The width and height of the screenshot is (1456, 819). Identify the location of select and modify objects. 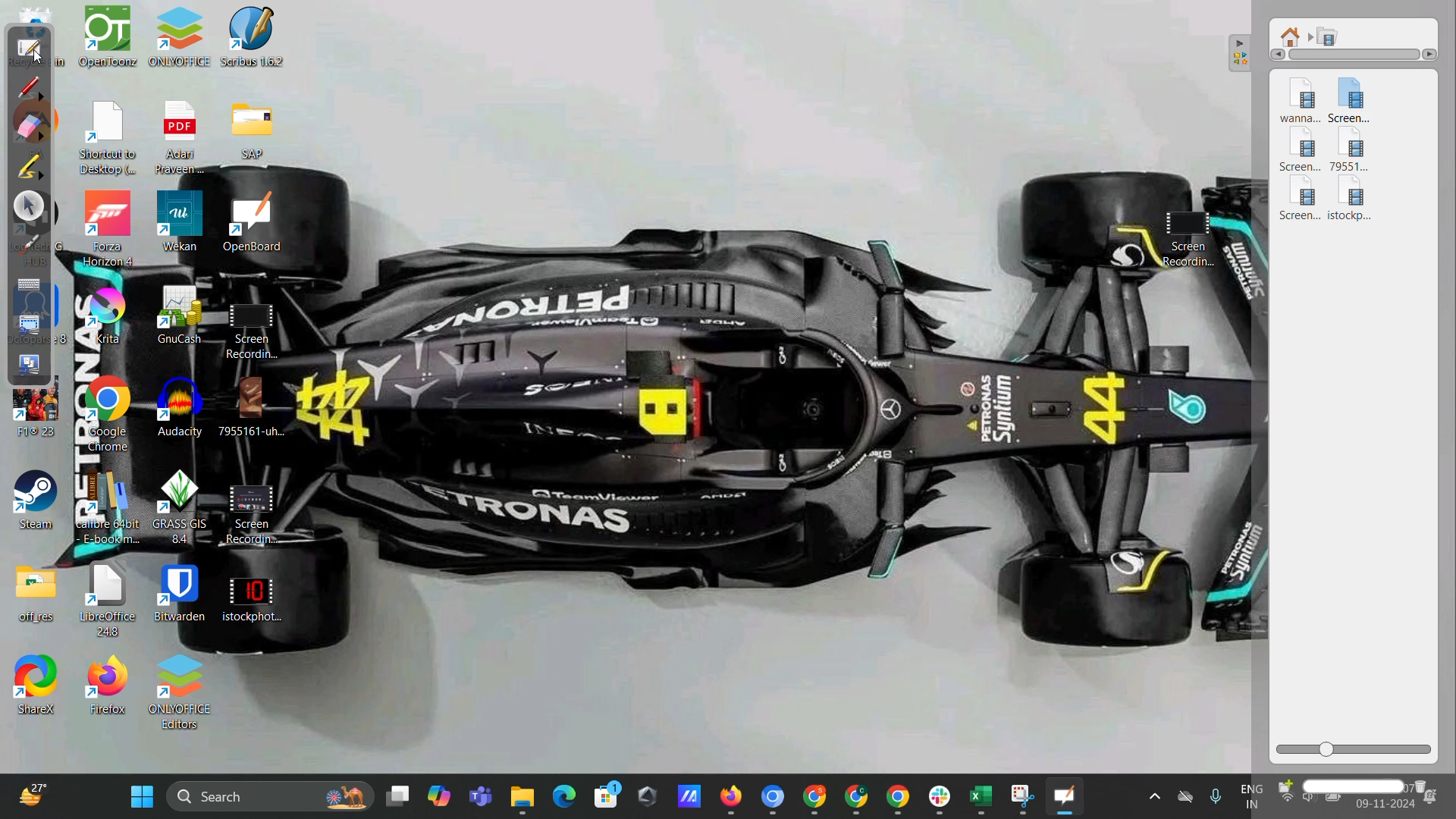
(27, 206).